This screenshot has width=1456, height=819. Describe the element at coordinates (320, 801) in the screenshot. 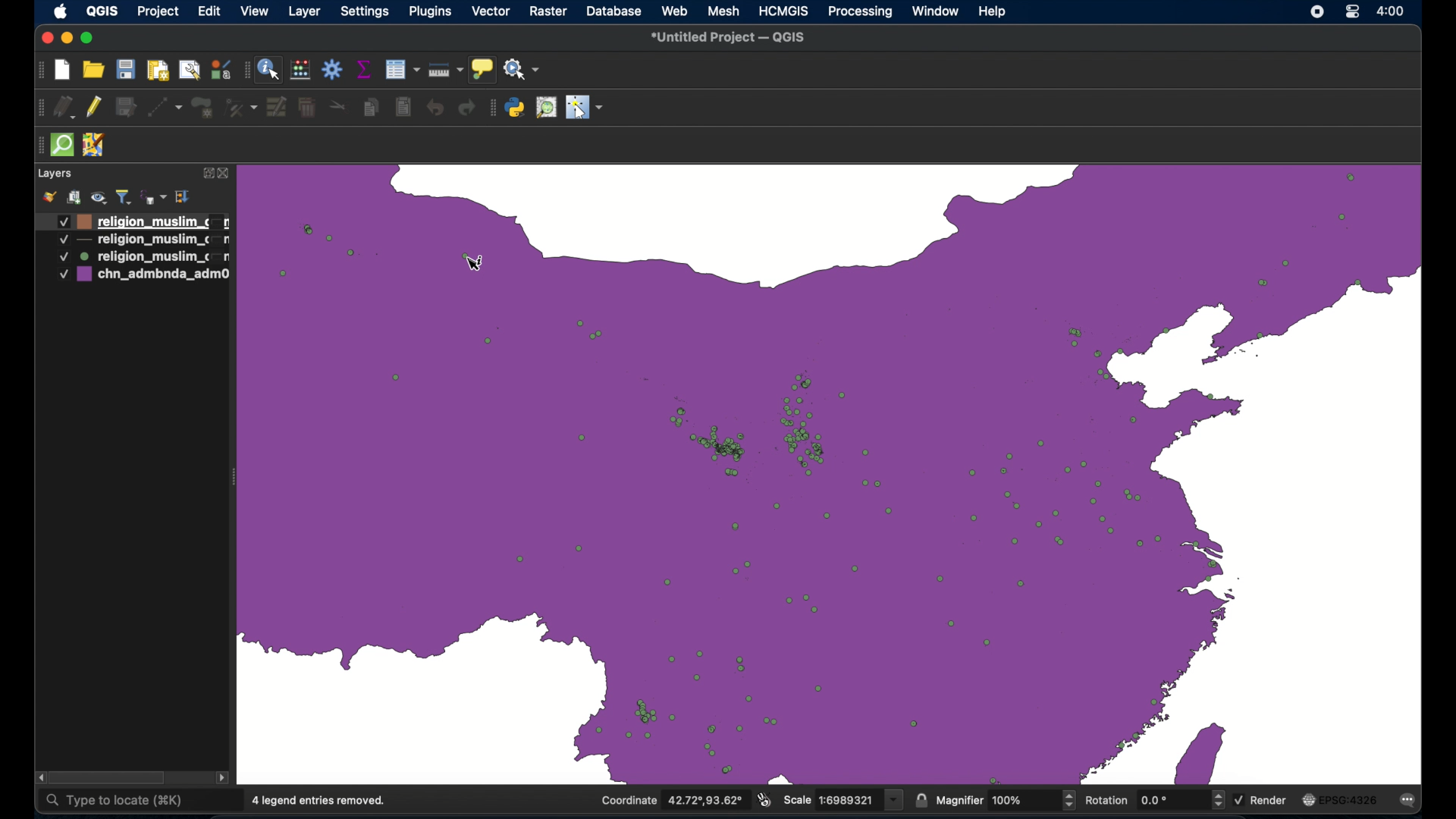

I see `4 legend entries removed` at that location.